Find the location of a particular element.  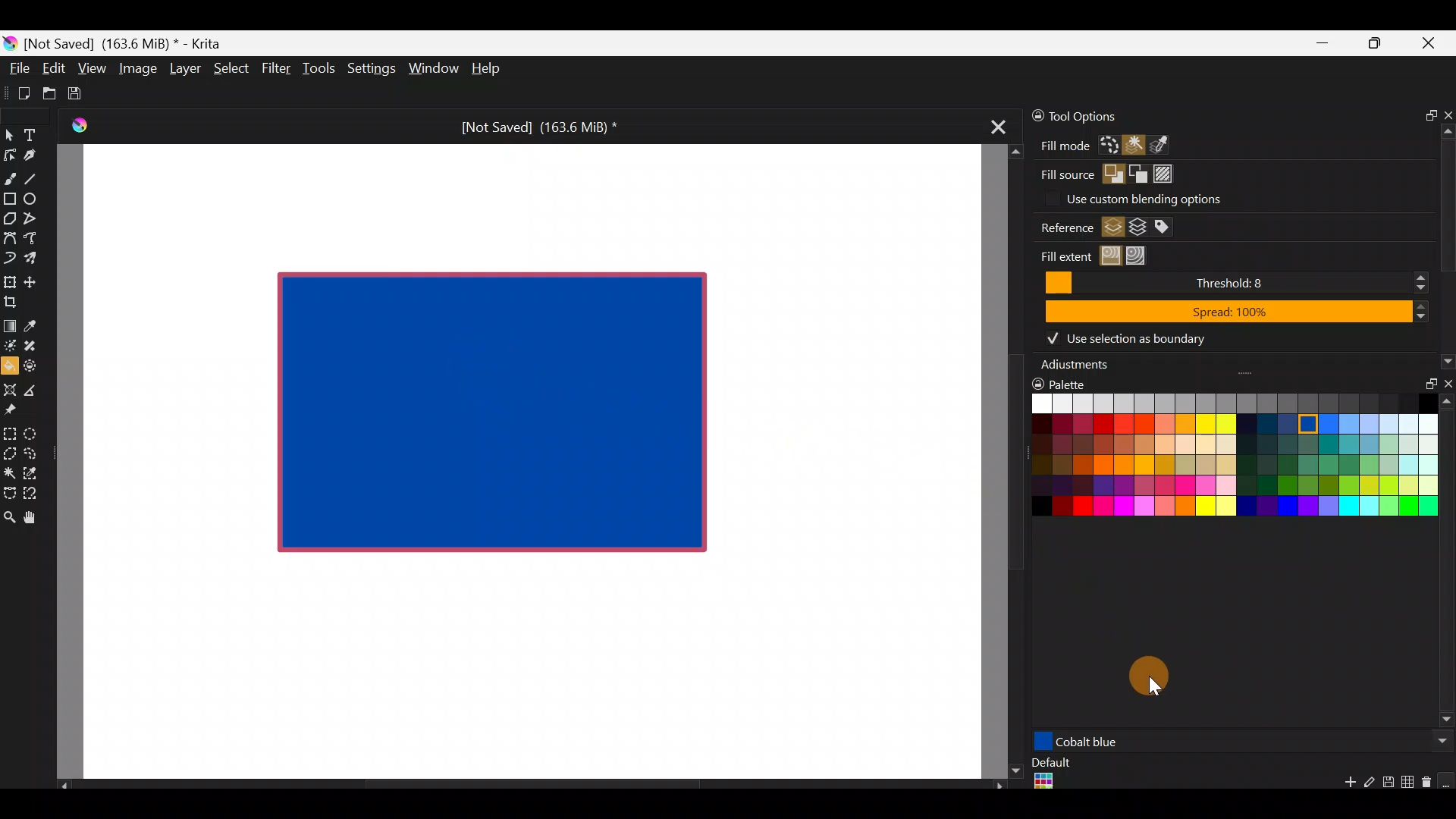

[Not Saved] (163.6 MiB) * is located at coordinates (537, 124).